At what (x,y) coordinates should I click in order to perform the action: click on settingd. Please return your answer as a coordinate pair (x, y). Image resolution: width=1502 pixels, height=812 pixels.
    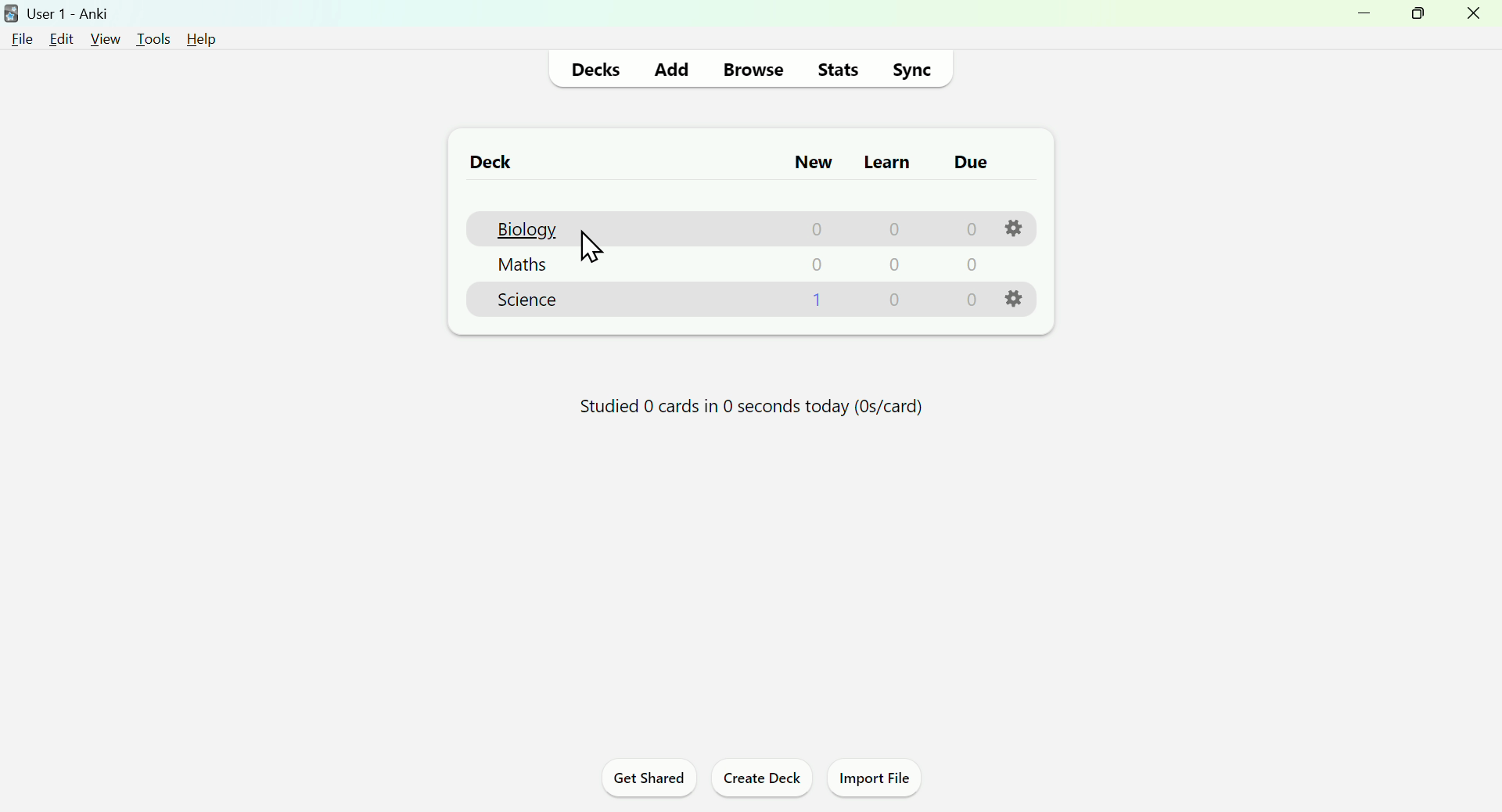
    Looking at the image, I should click on (1010, 227).